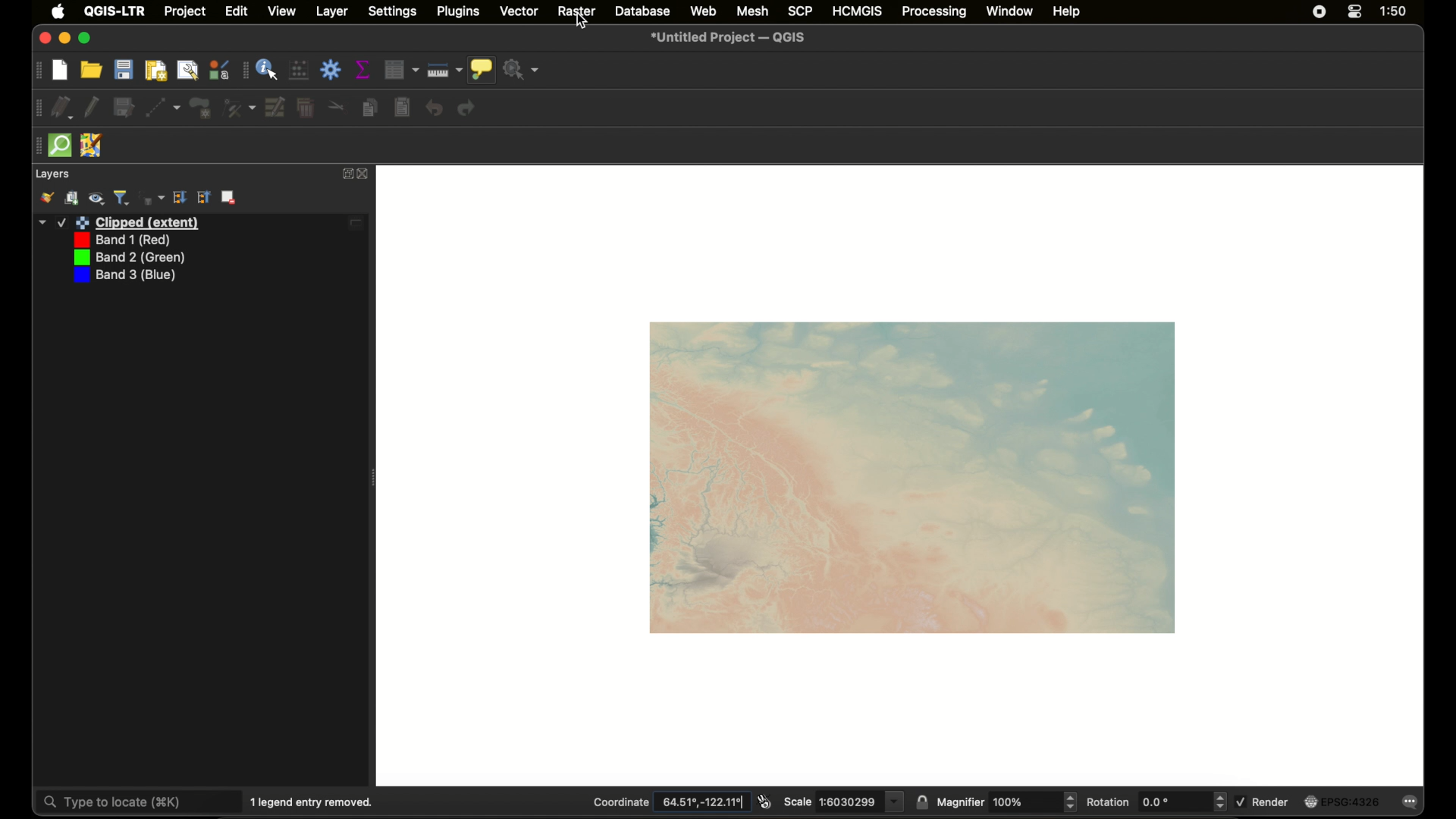 This screenshot has height=819, width=1456. What do you see at coordinates (188, 71) in the screenshot?
I see `show layout manager` at bounding box center [188, 71].